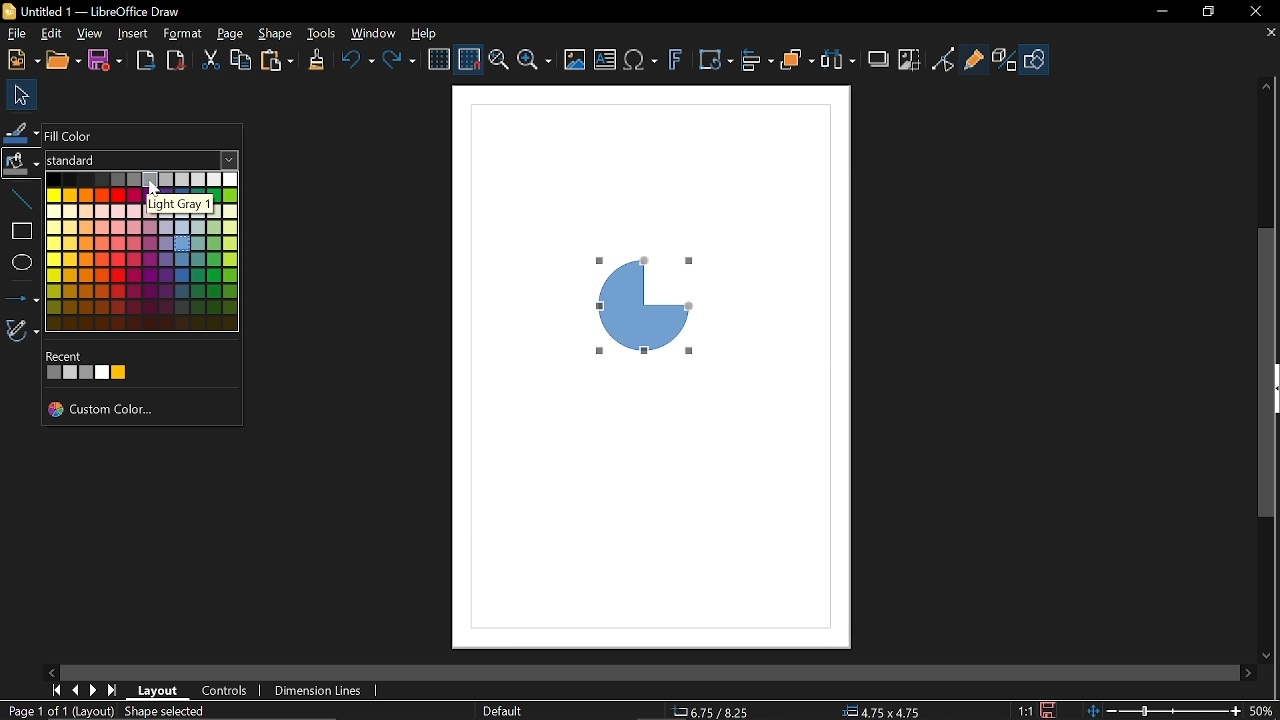 The image size is (1280, 720). I want to click on Insert, so click(133, 33).